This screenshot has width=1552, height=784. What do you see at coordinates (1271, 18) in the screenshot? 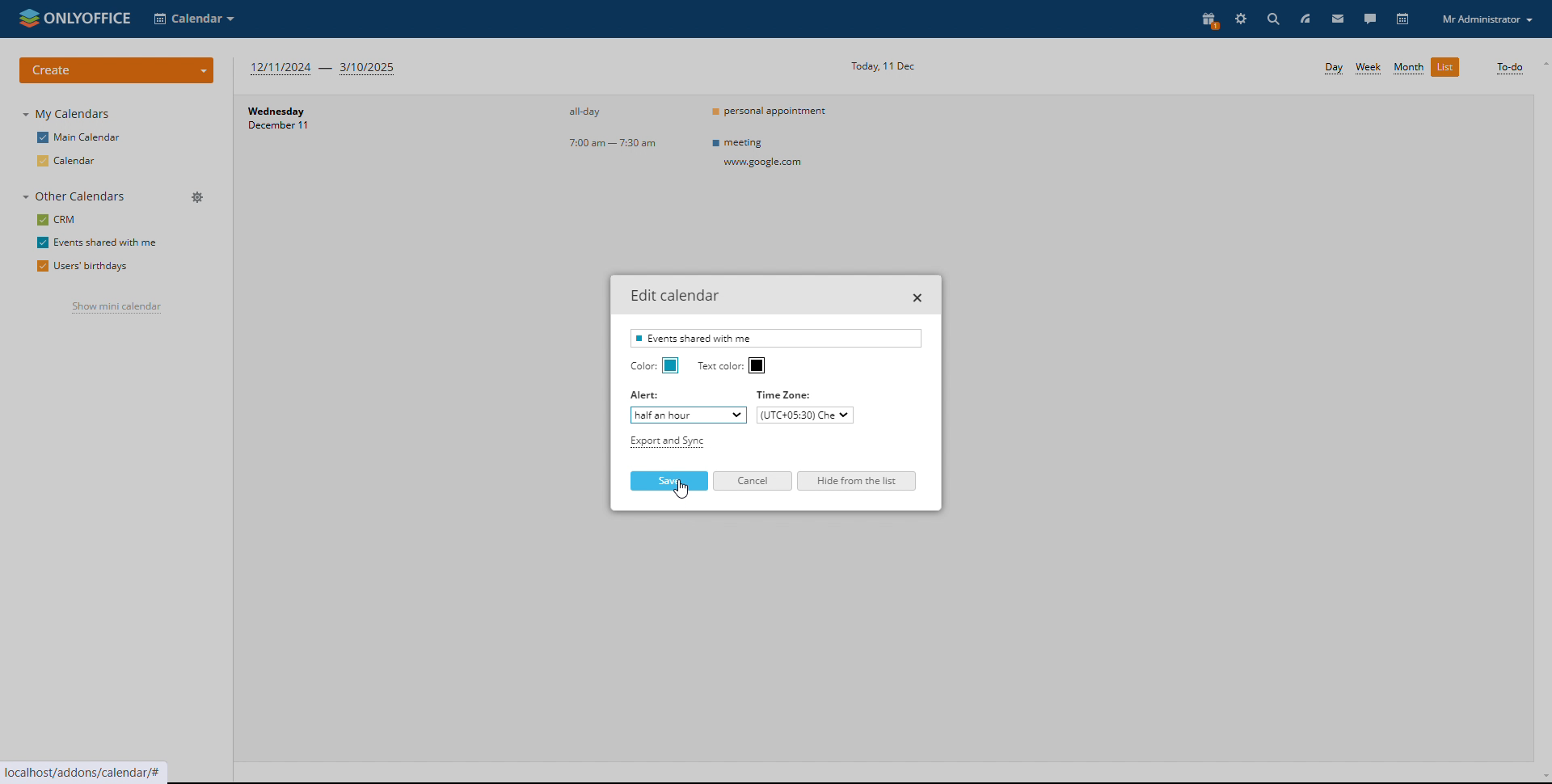
I see `search` at bounding box center [1271, 18].